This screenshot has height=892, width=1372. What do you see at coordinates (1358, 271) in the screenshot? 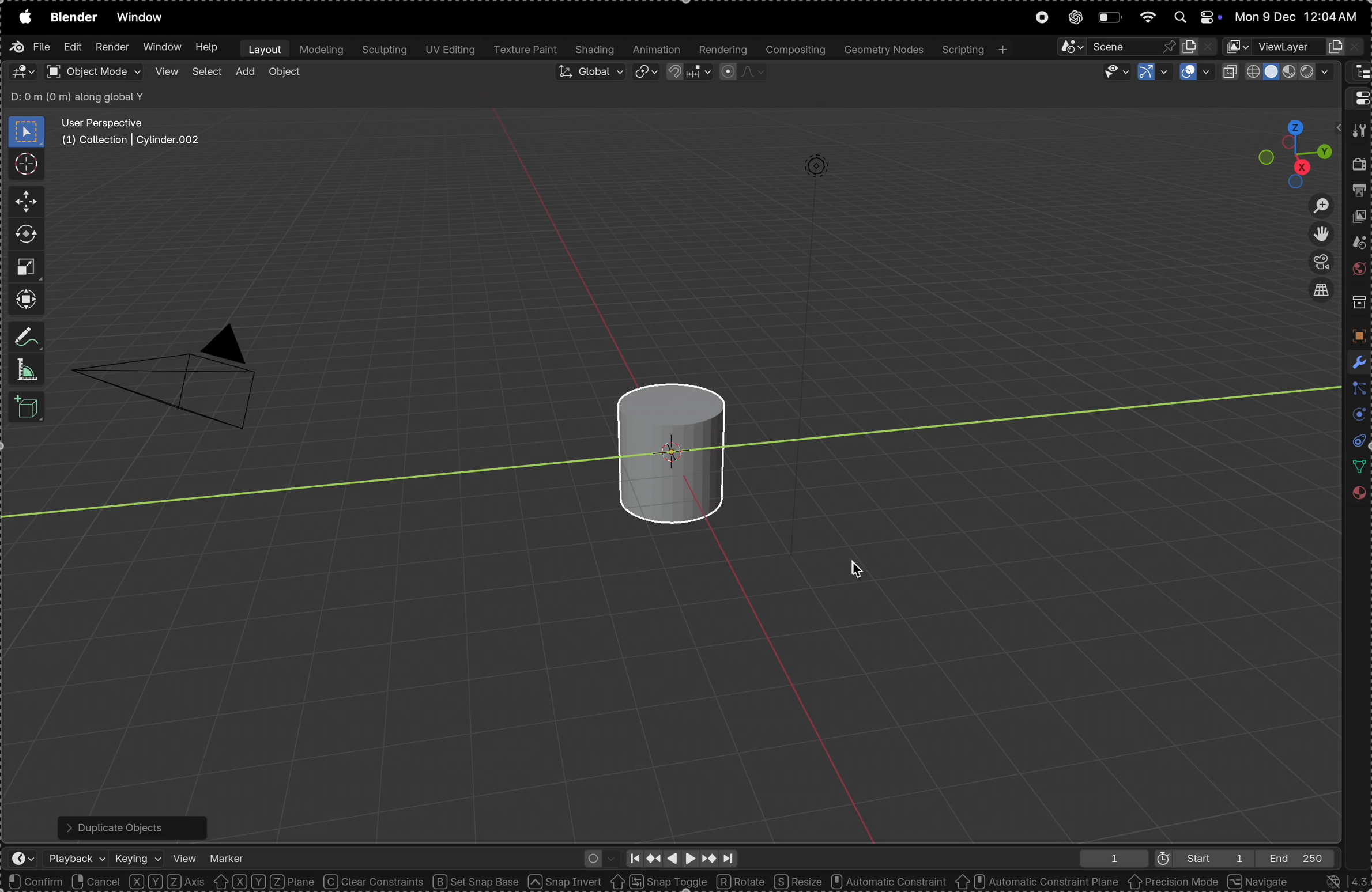
I see `worls` at bounding box center [1358, 271].